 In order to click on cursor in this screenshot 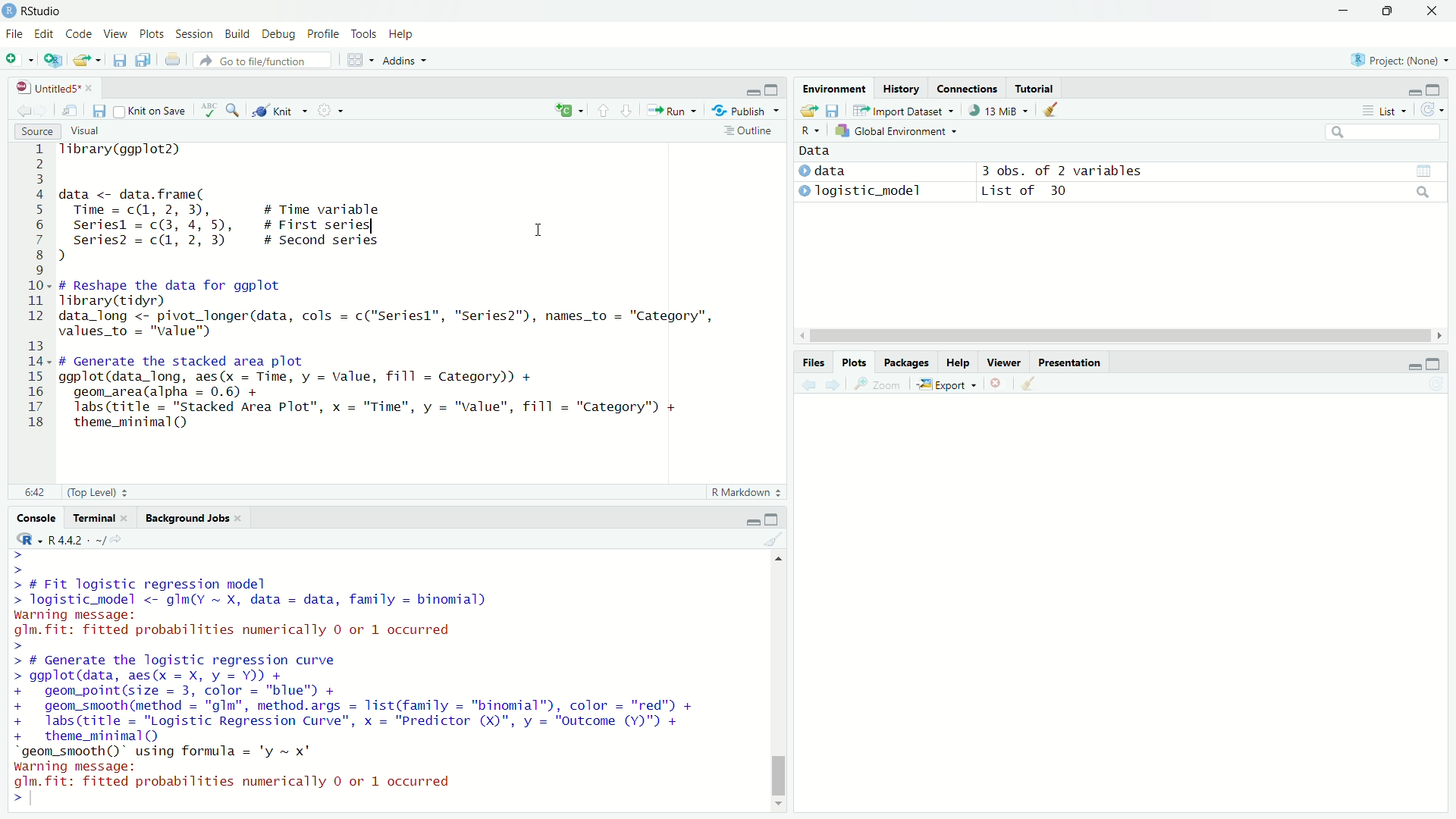, I will do `click(536, 230)`.